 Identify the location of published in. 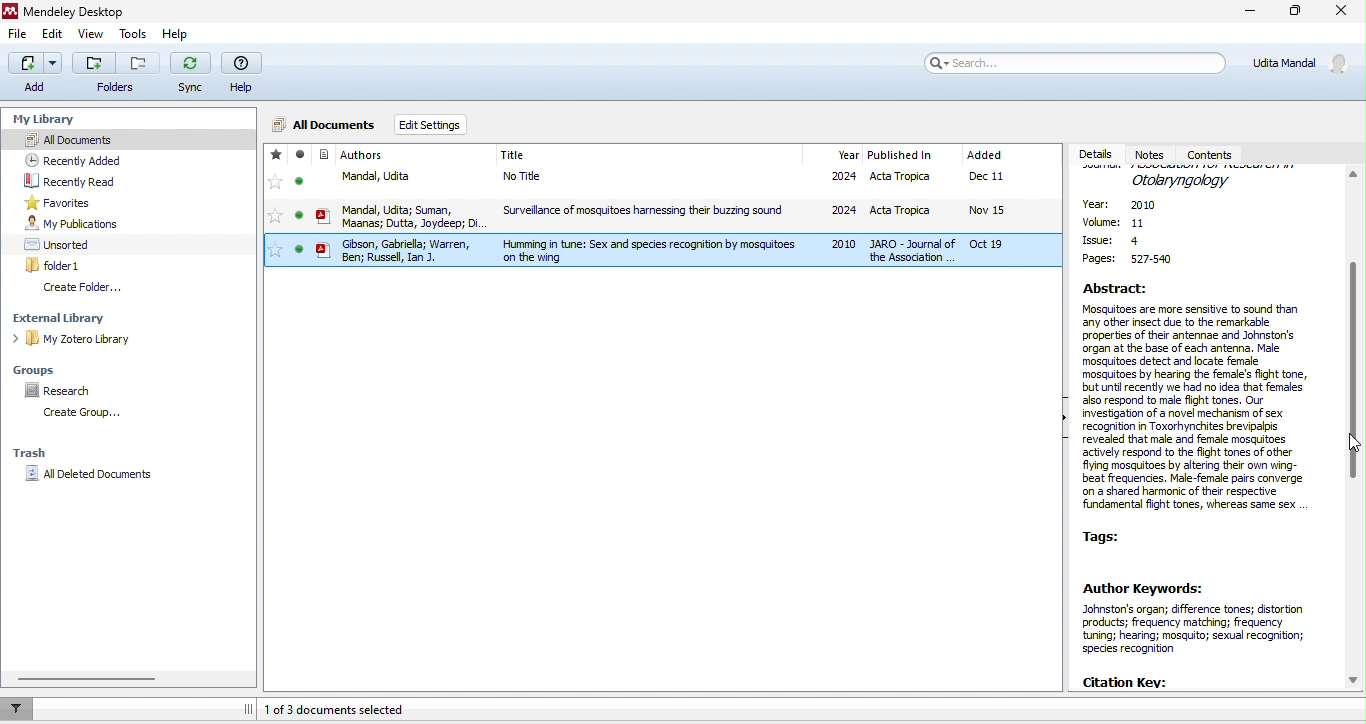
(900, 156).